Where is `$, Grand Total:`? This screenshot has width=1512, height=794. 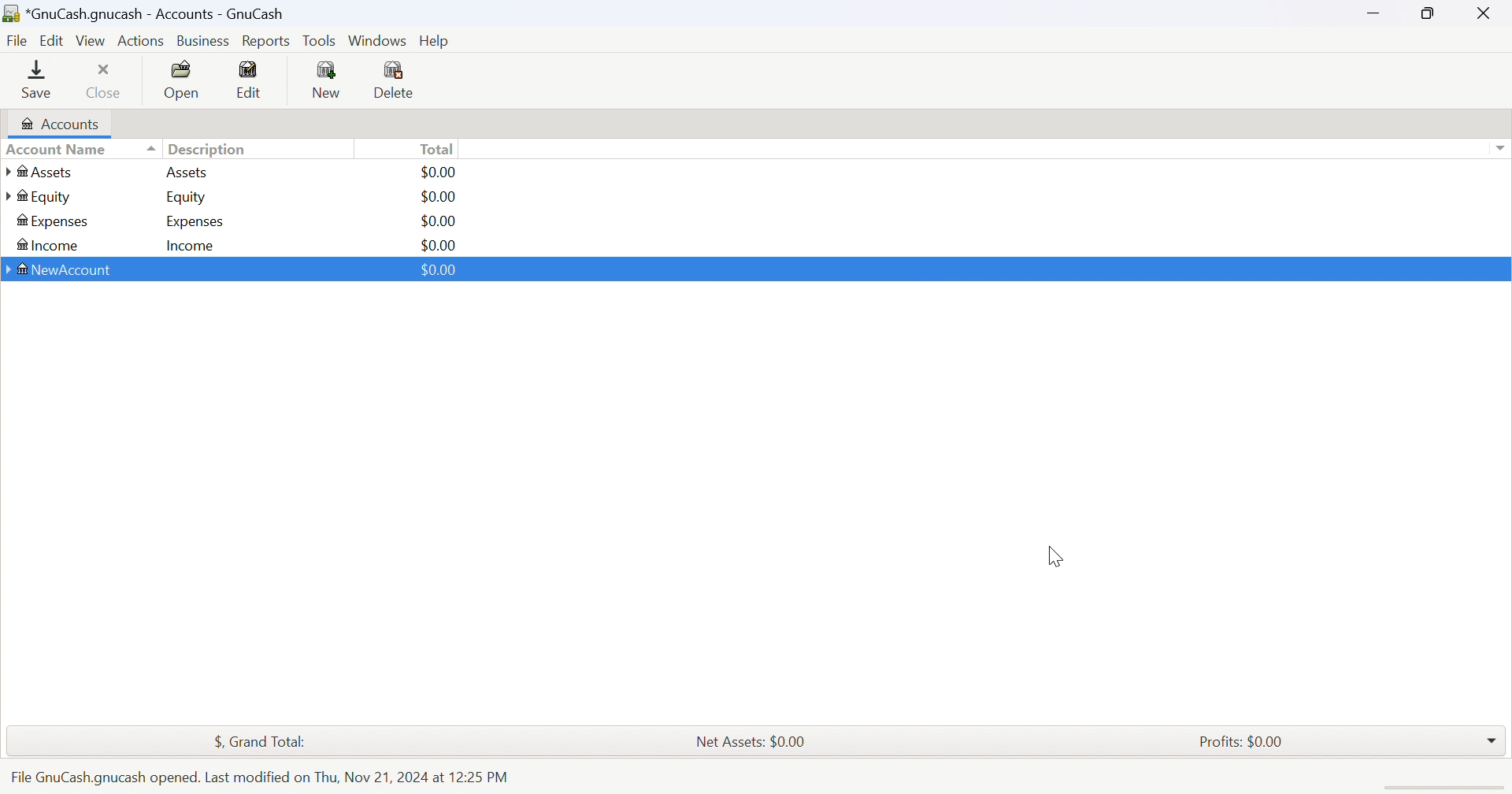
$, Grand Total: is located at coordinates (269, 743).